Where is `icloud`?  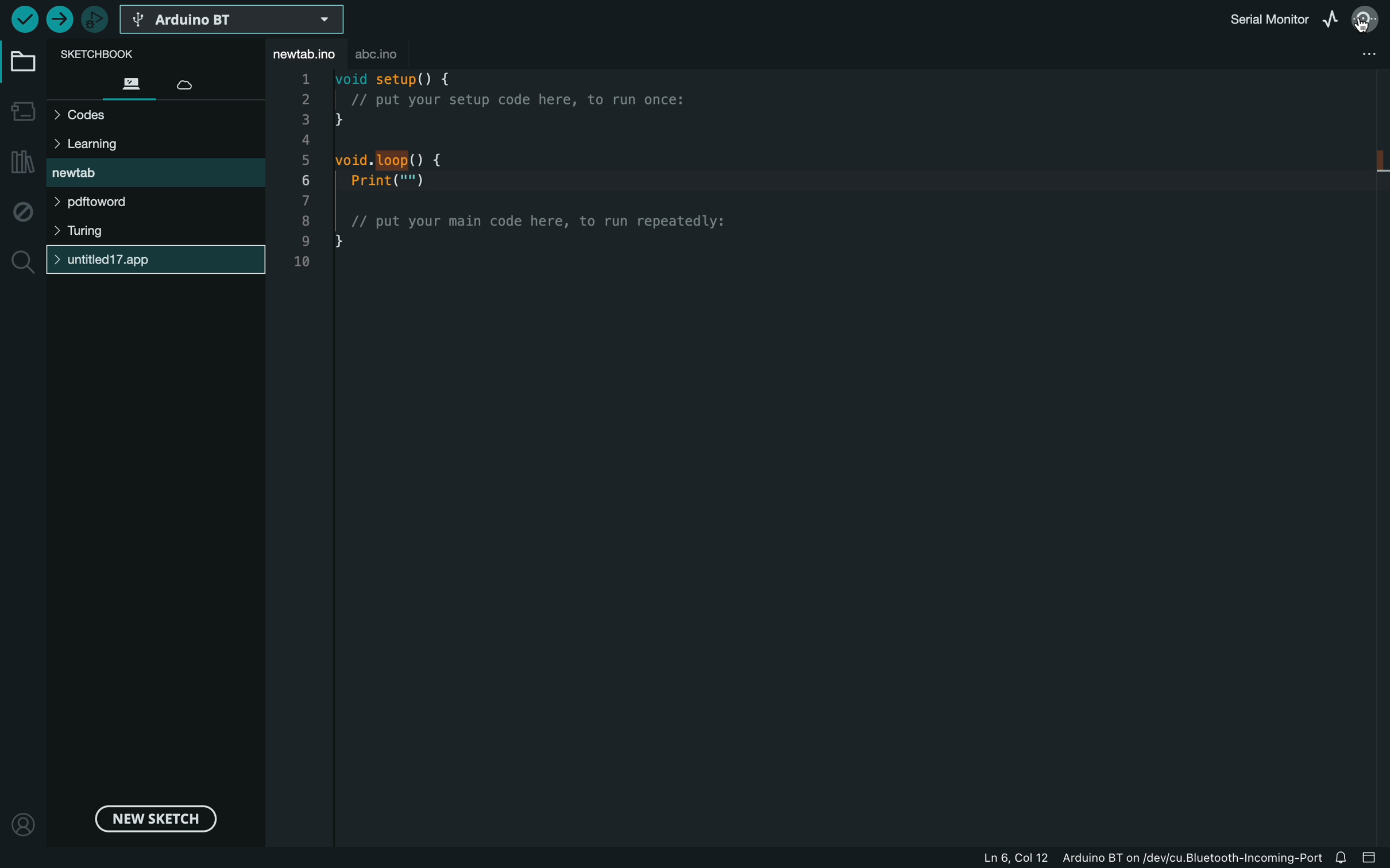
icloud is located at coordinates (186, 83).